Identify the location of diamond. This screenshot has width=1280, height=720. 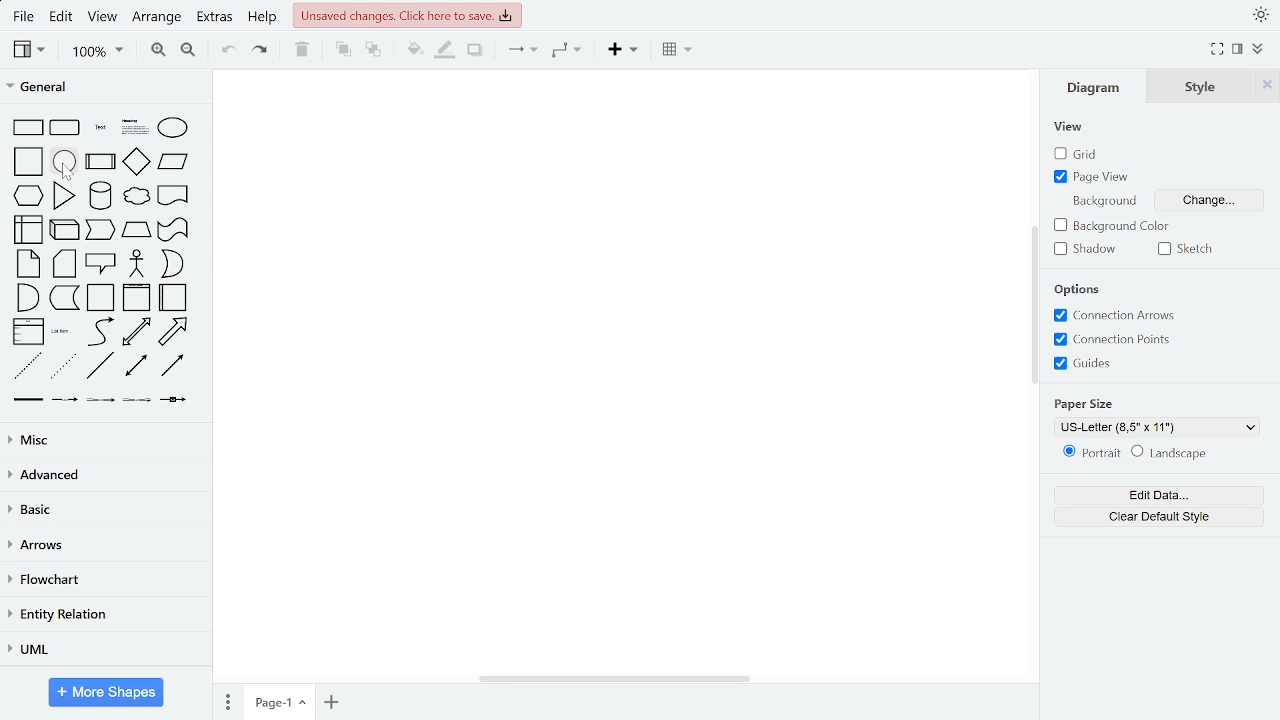
(137, 163).